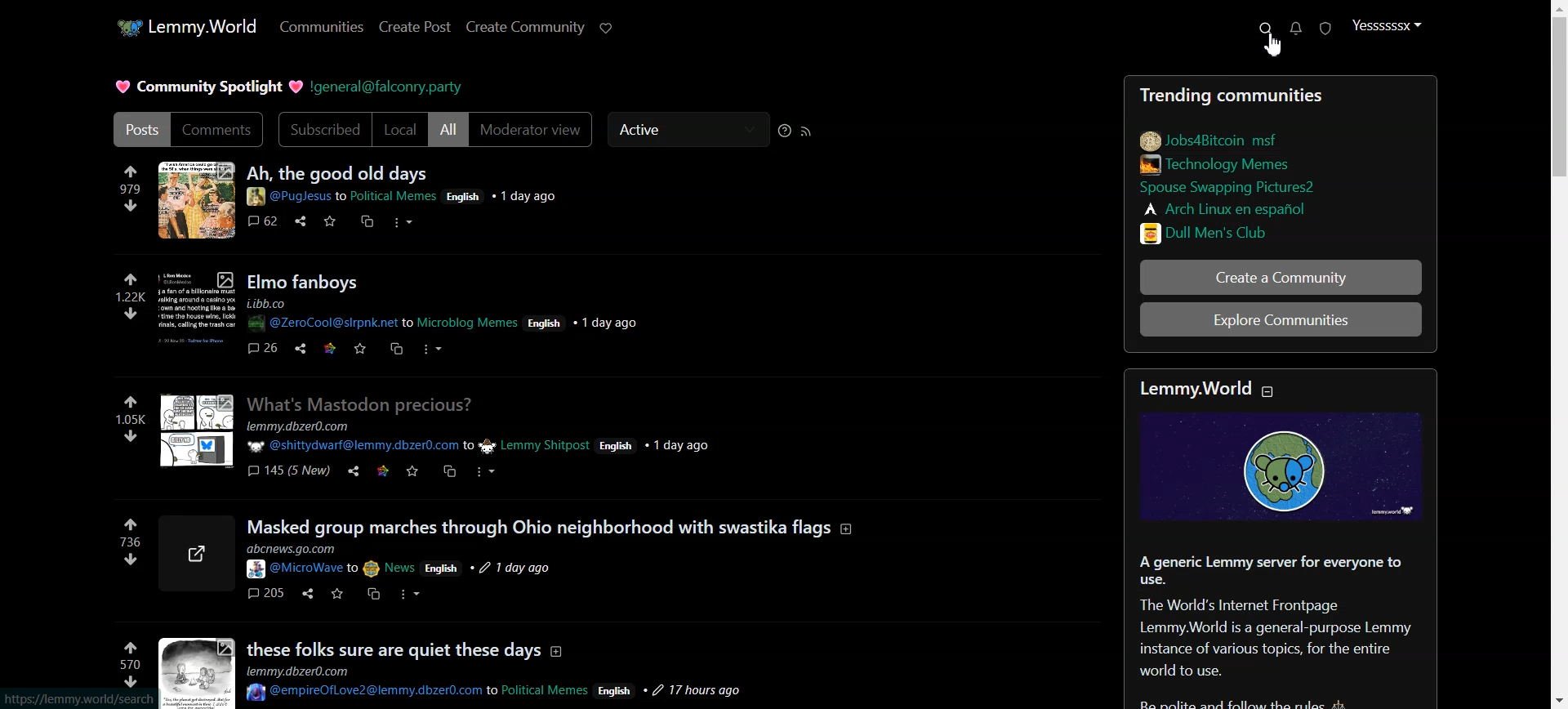 Image resolution: width=1568 pixels, height=709 pixels. Describe the element at coordinates (388, 86) in the screenshot. I see `Hyperlink` at that location.